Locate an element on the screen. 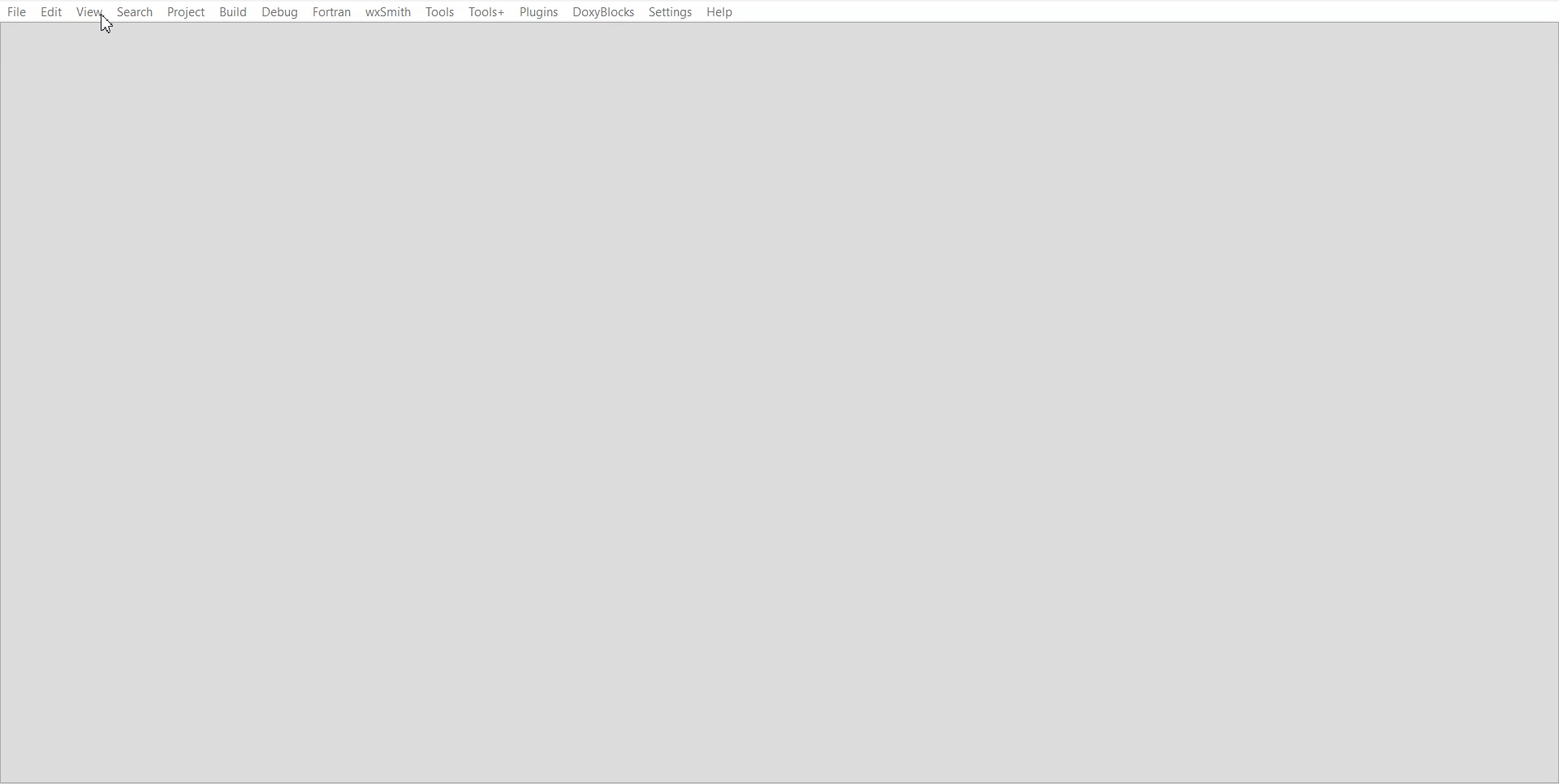 The image size is (1559, 784). Search is located at coordinates (135, 12).